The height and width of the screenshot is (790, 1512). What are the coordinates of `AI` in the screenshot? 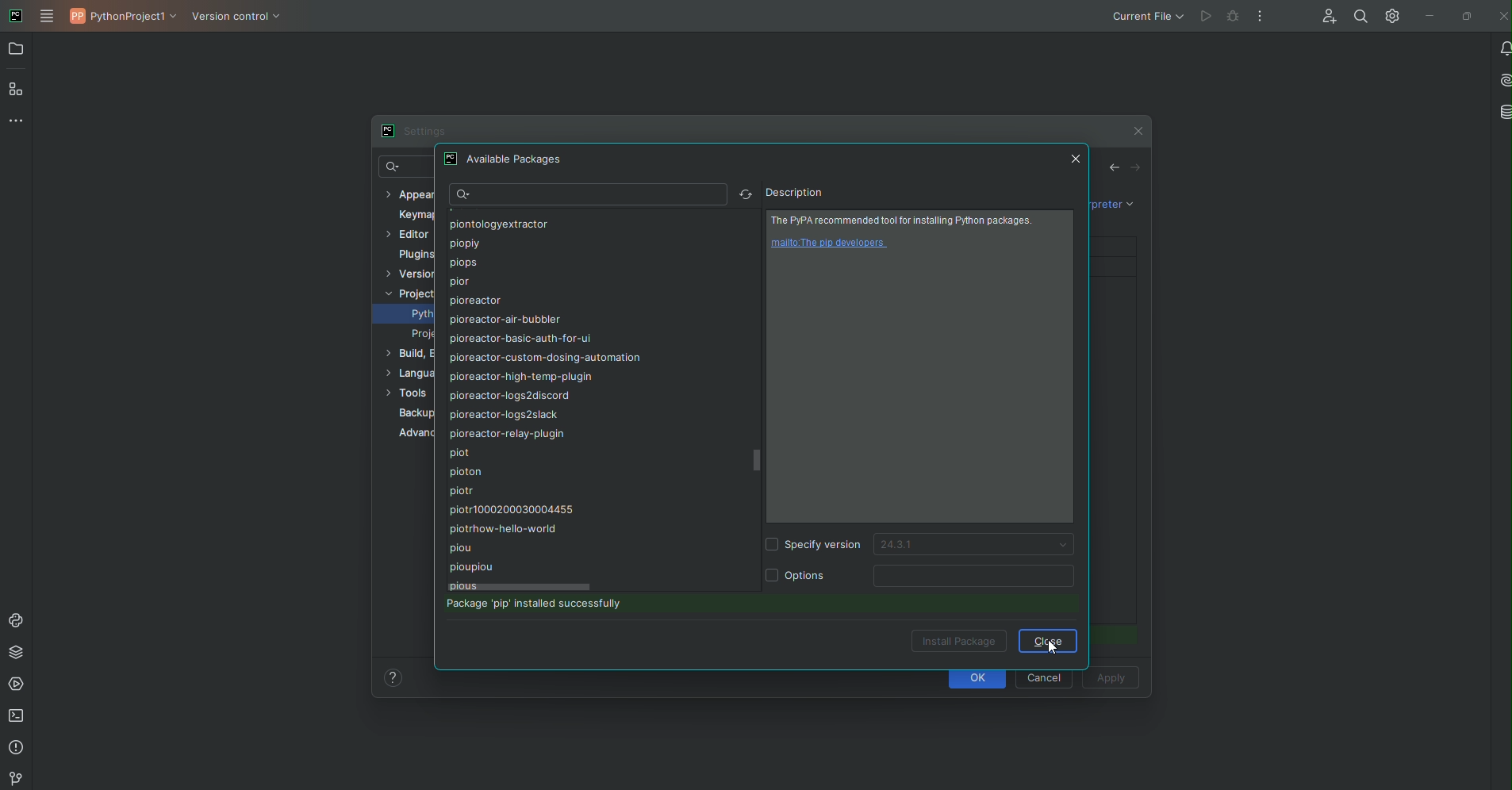 It's located at (1502, 80).